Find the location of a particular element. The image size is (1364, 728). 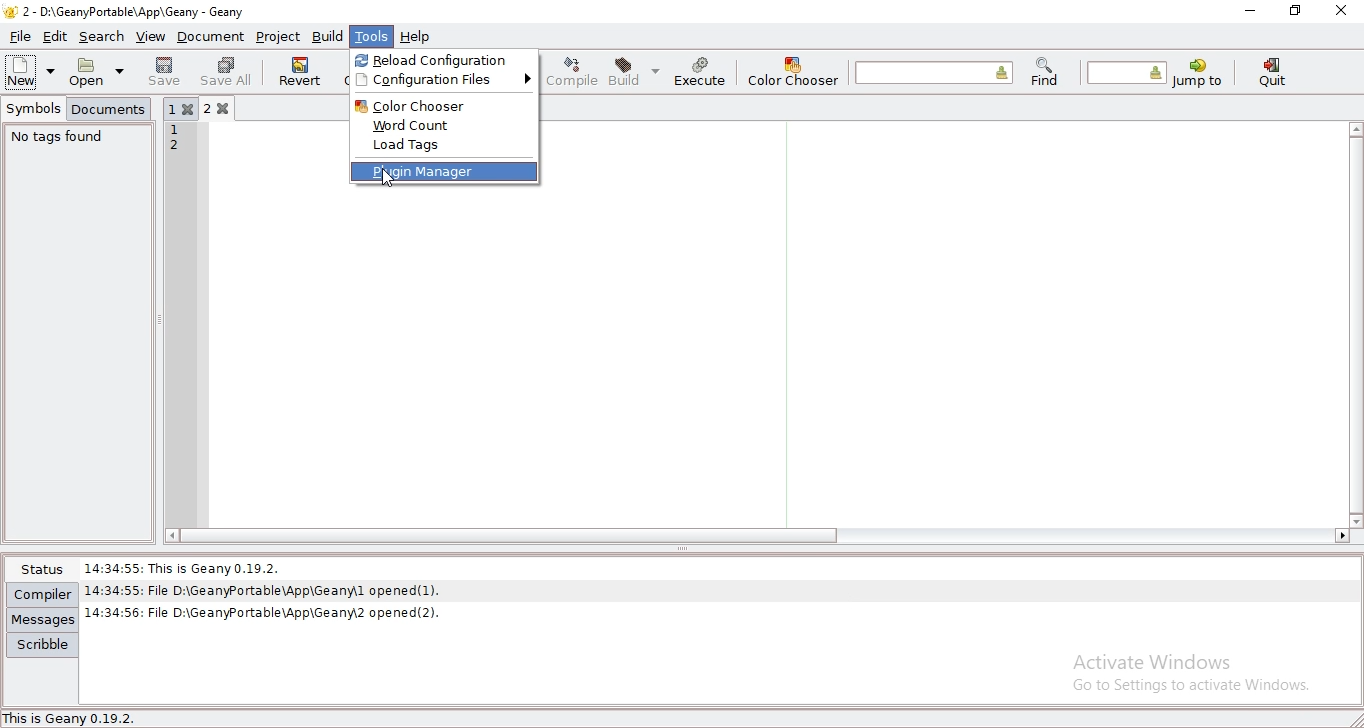

compile is located at coordinates (574, 71).